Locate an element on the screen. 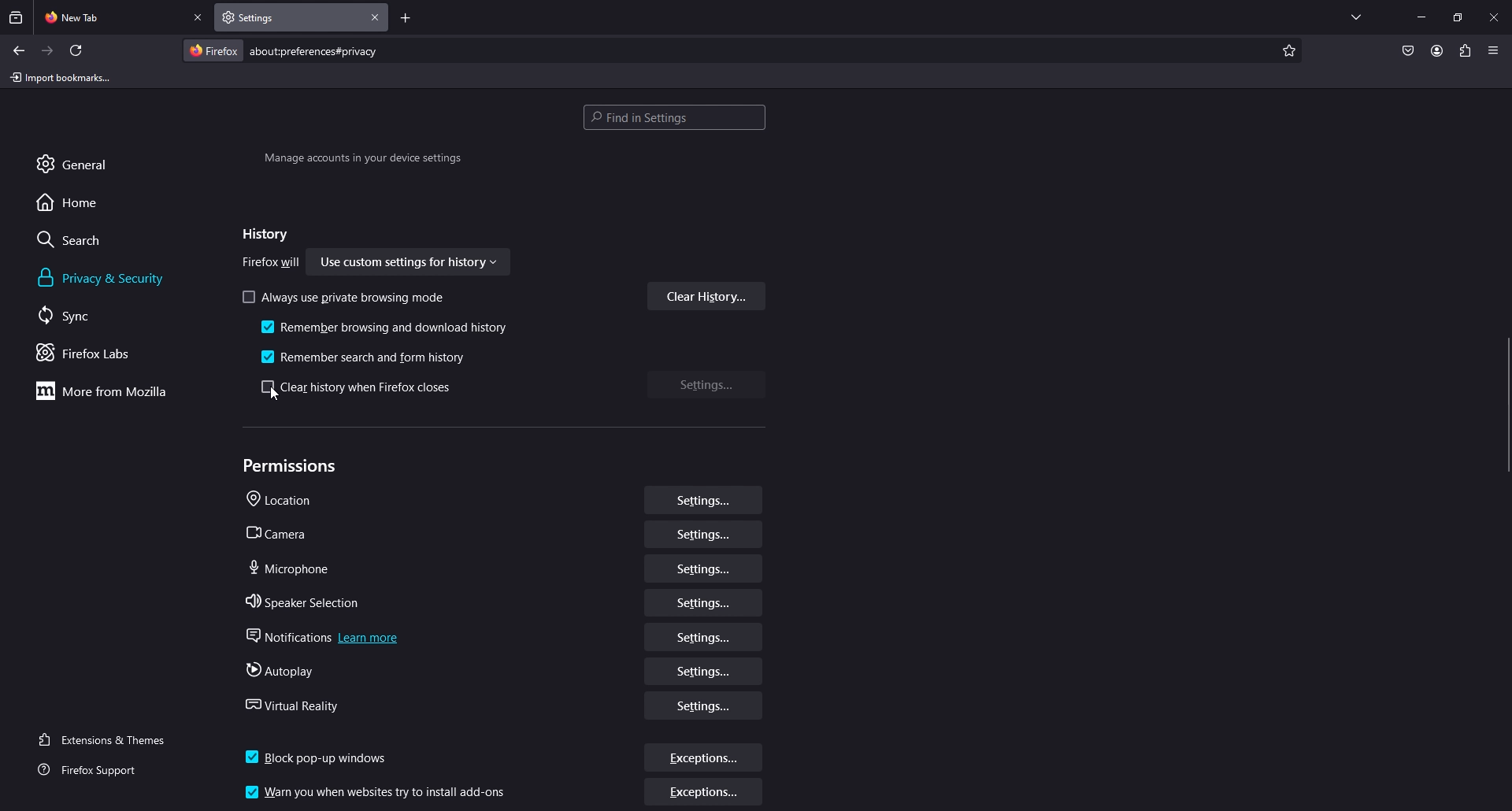  camera is located at coordinates (280, 532).